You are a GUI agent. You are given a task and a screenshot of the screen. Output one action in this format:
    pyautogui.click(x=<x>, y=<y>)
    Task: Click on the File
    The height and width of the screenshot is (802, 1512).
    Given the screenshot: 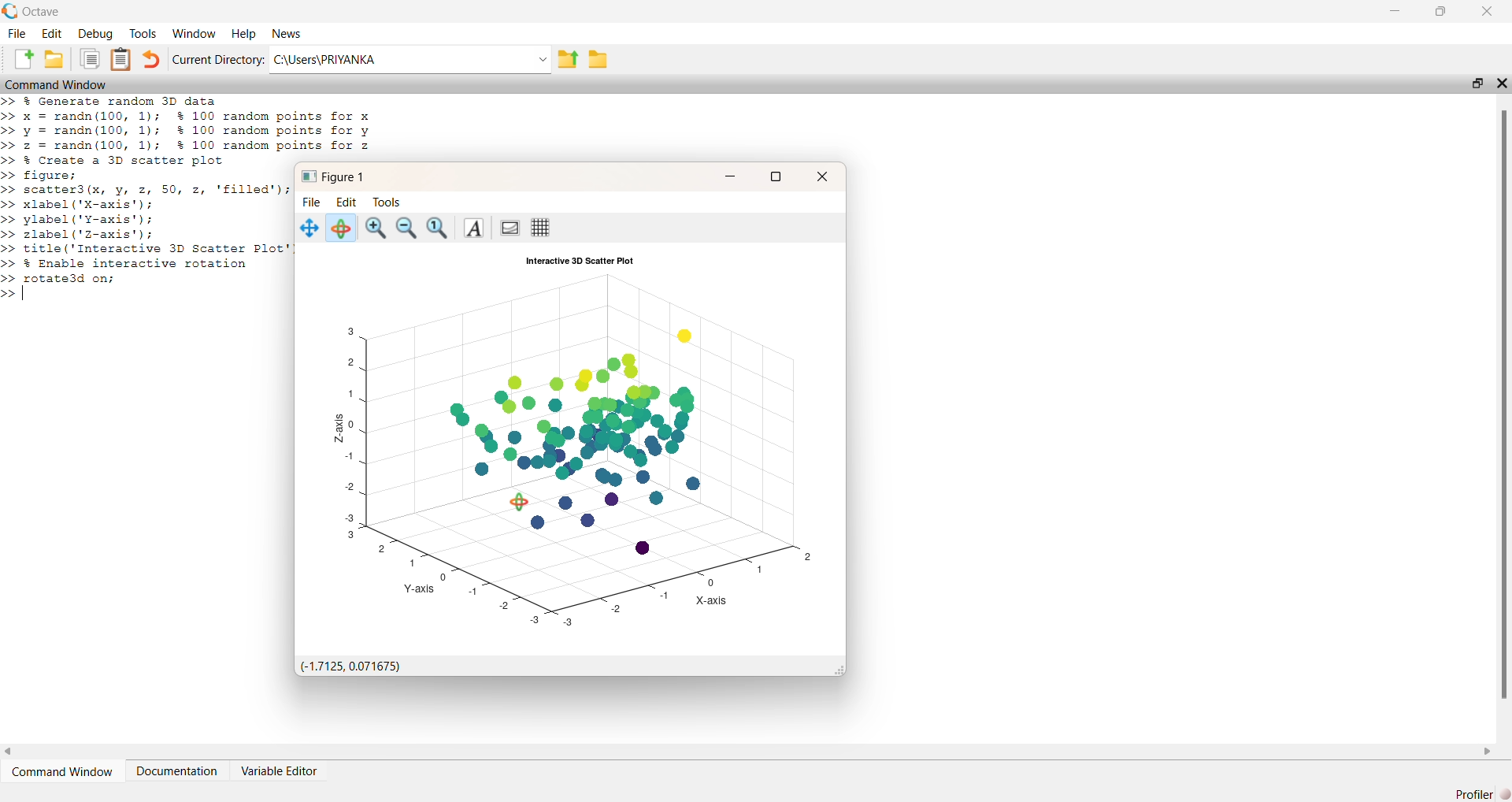 What is the action you would take?
    pyautogui.click(x=17, y=34)
    